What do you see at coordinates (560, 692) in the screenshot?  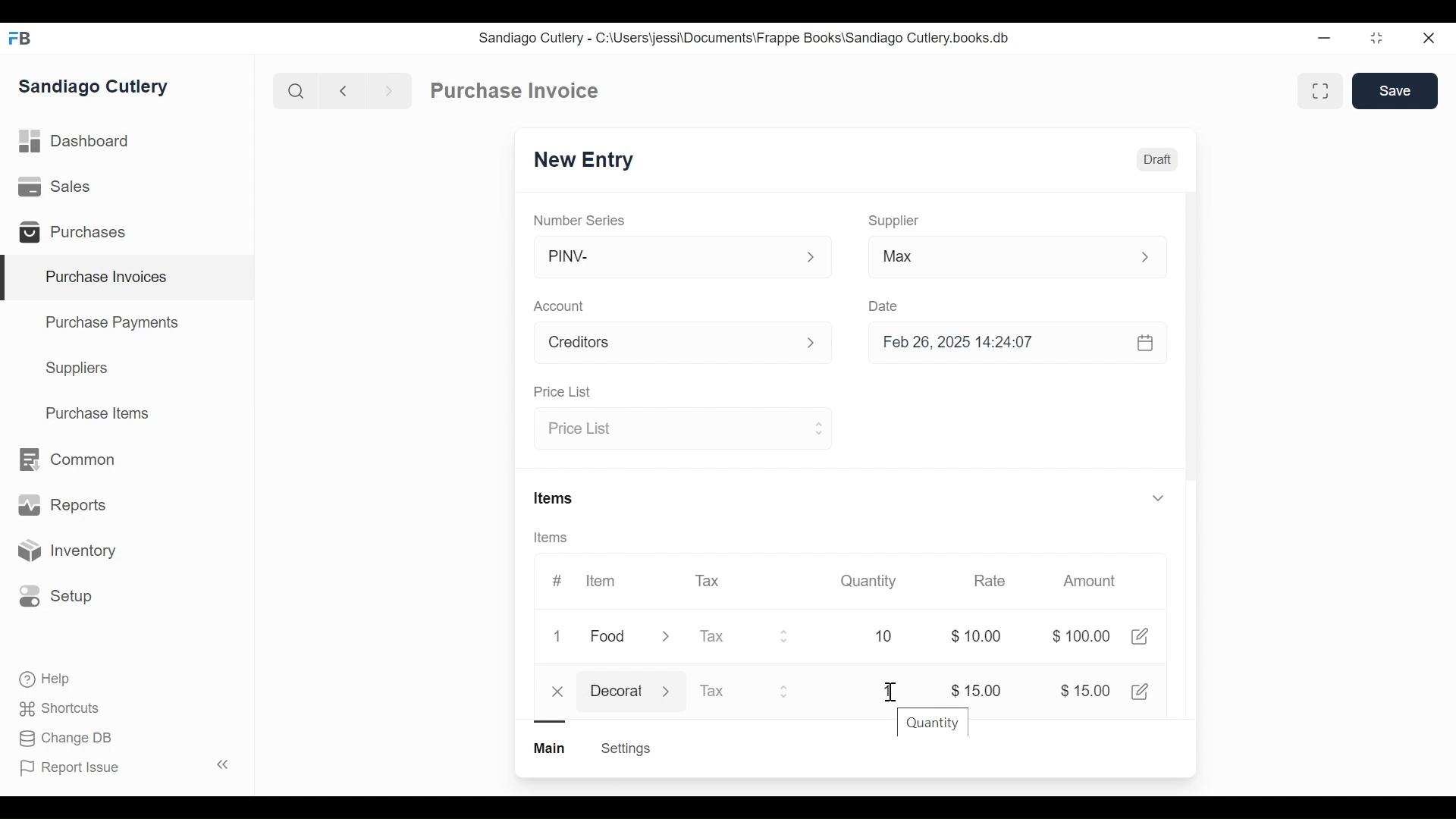 I see `close` at bounding box center [560, 692].